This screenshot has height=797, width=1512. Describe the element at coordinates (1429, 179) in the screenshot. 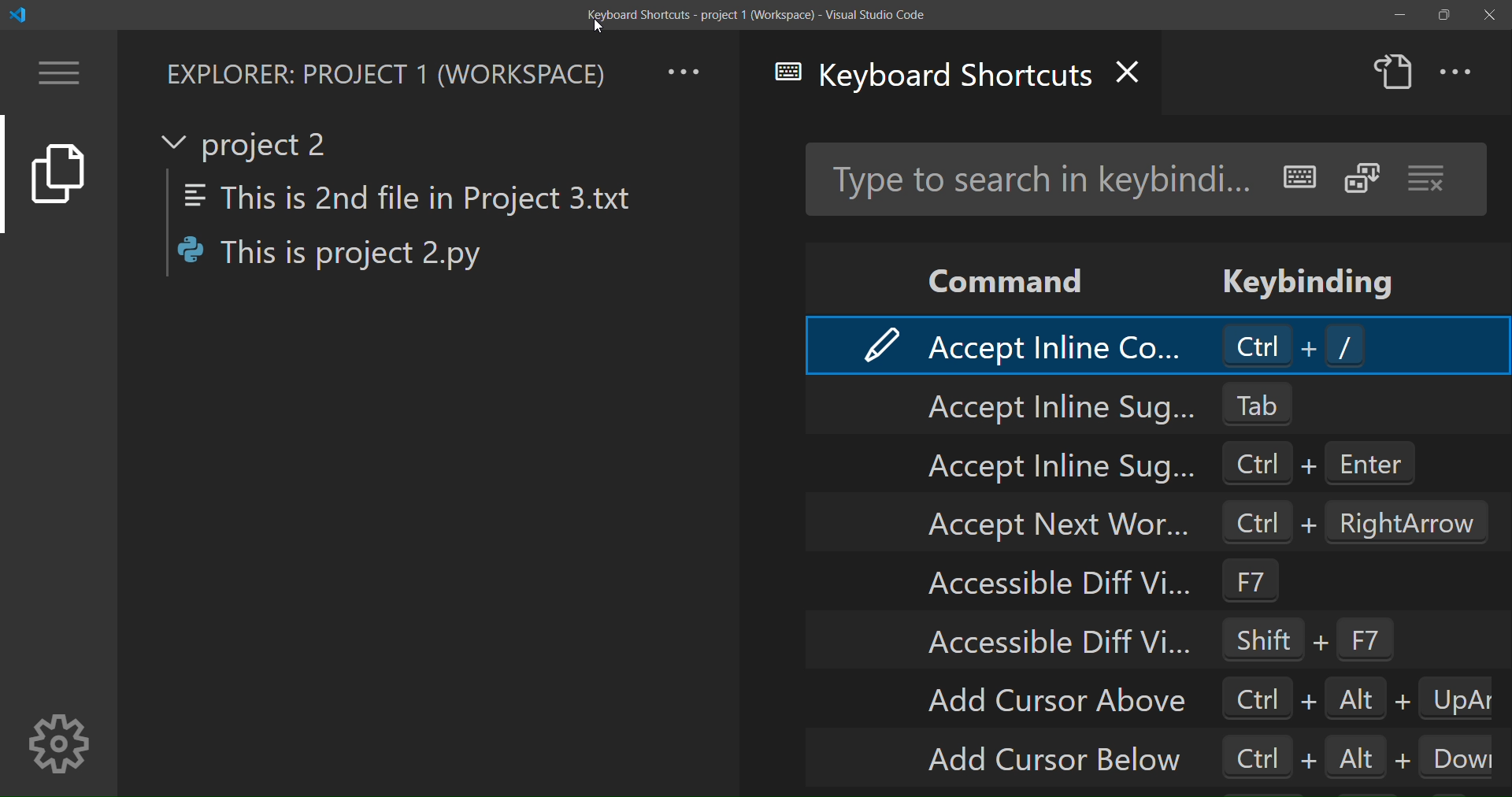

I see `clear keybinding` at that location.